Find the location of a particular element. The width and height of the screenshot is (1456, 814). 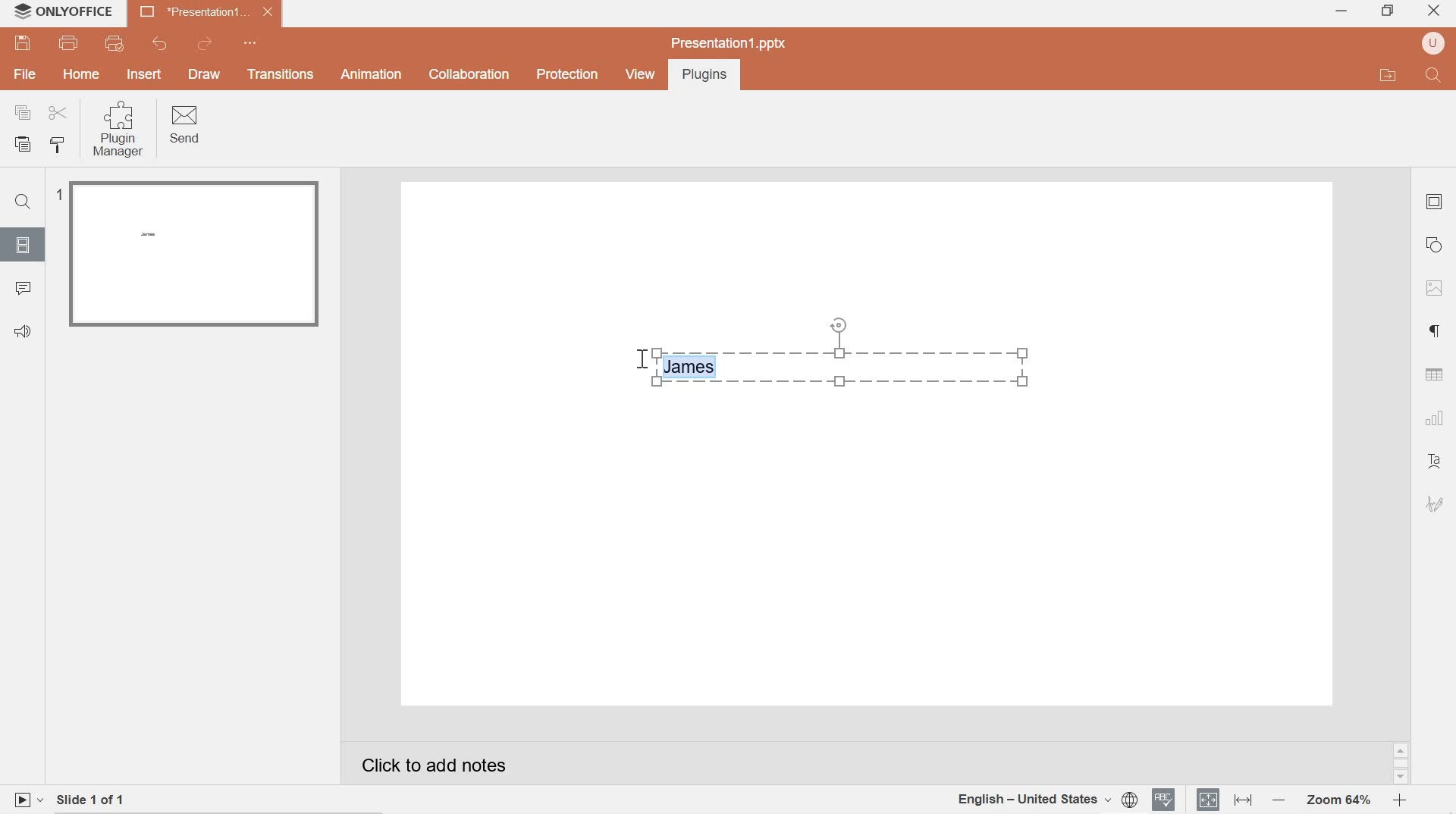

Zoom 64% is located at coordinates (1337, 800).